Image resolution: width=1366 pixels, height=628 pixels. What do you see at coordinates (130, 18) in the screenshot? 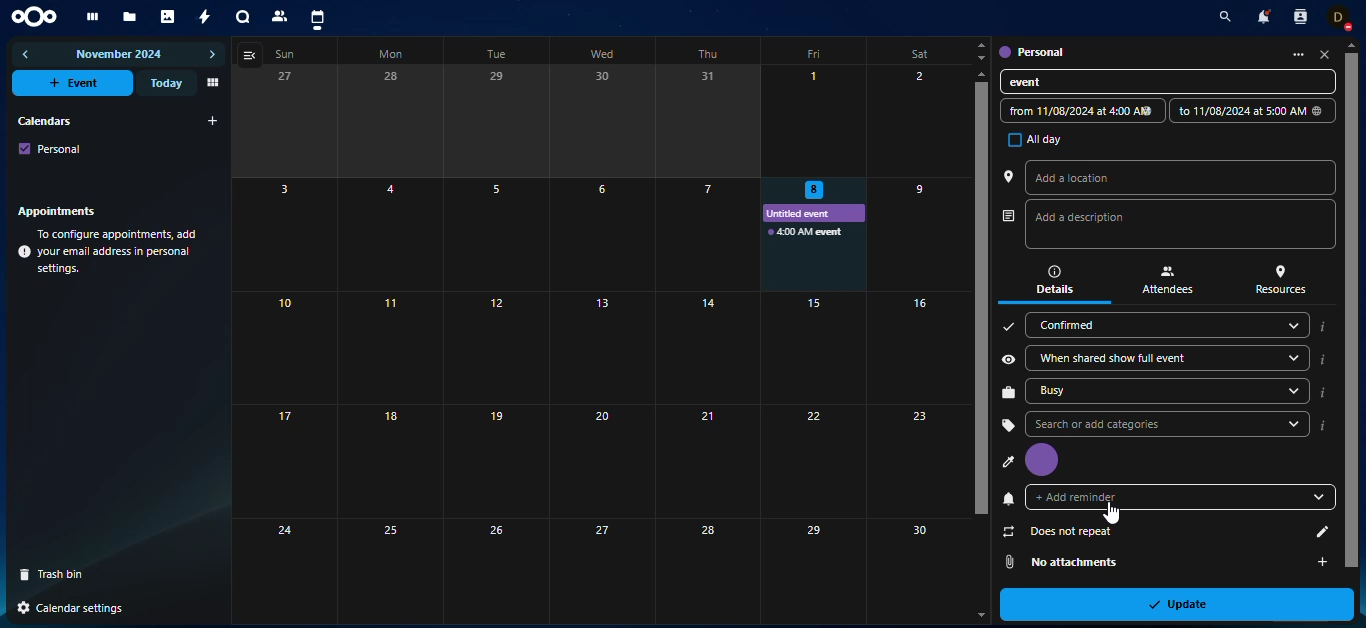
I see `files` at bounding box center [130, 18].